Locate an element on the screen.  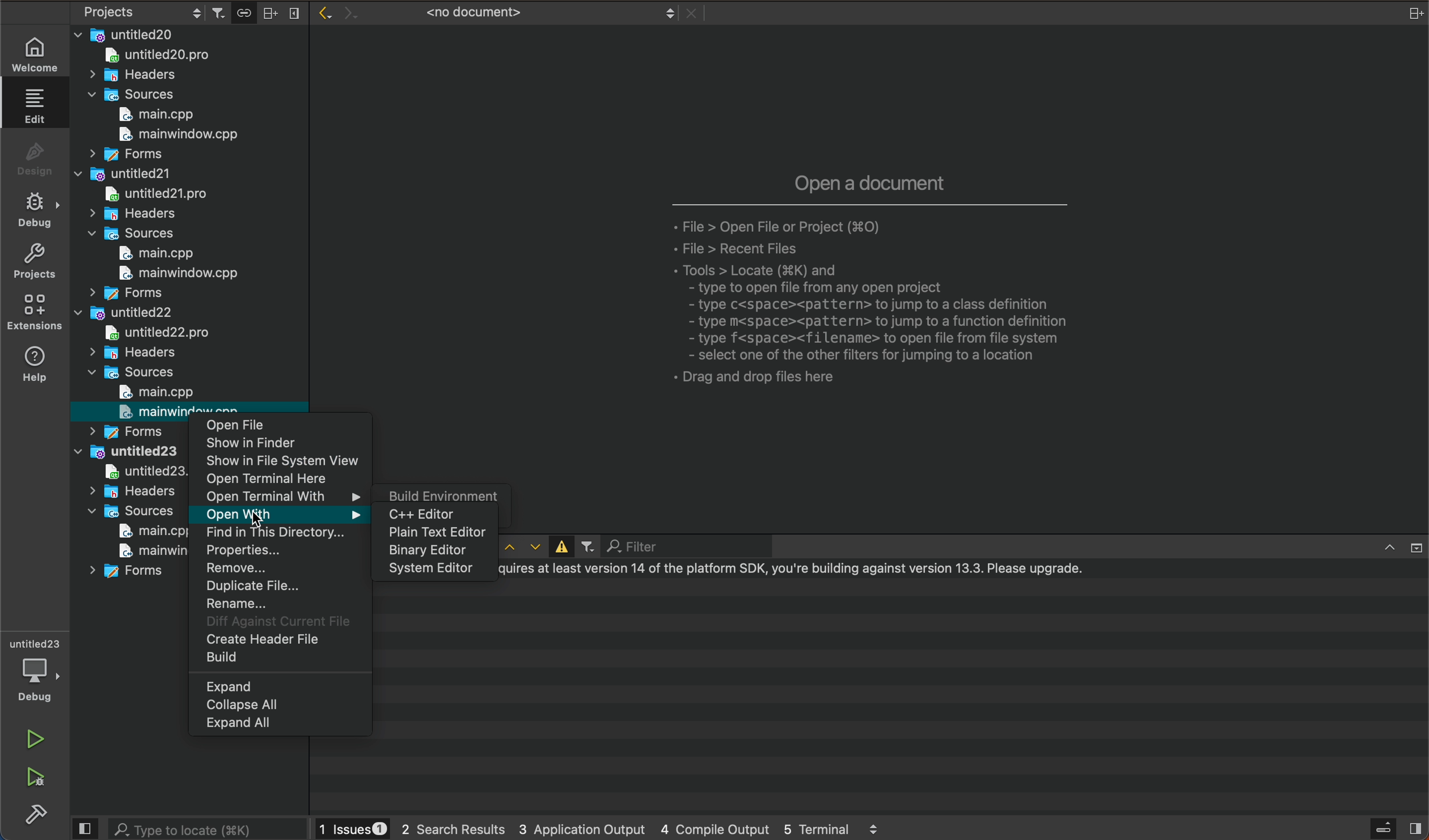
mainwindow.cpp is located at coordinates (138, 550).